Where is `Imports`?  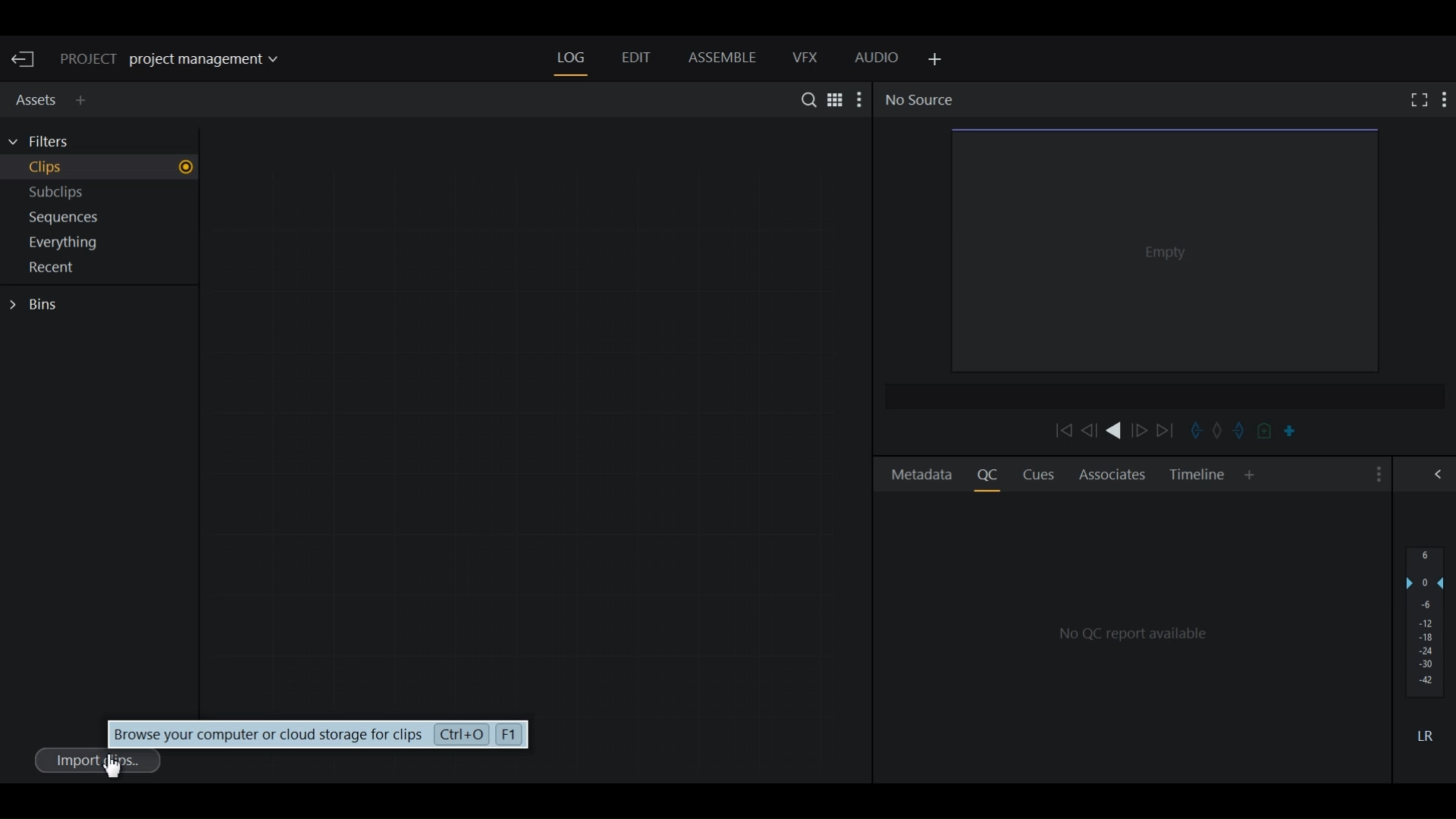
Imports is located at coordinates (96, 762).